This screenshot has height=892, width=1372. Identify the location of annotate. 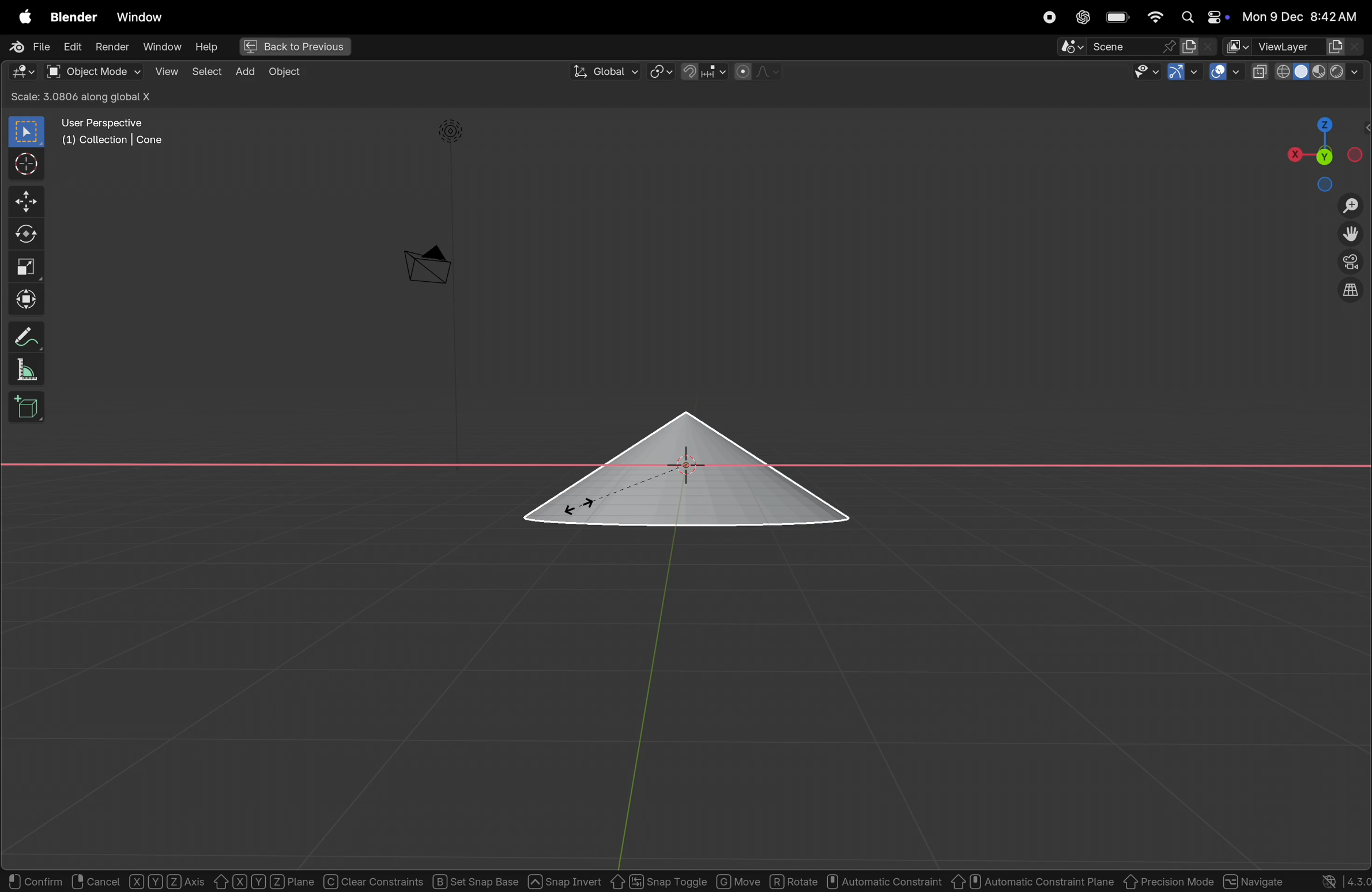
(22, 336).